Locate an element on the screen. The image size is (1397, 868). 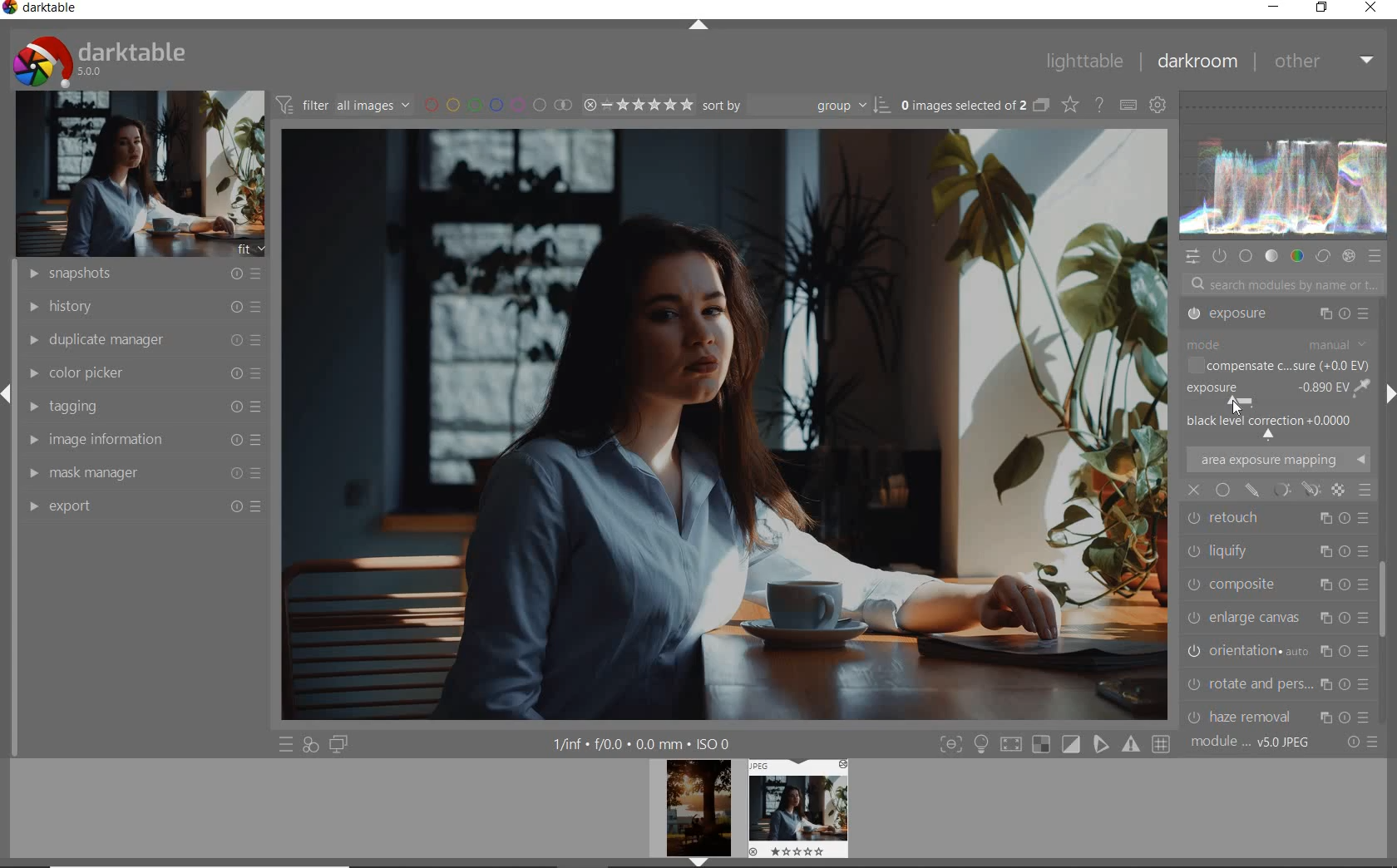
EXPAND/COLLAPSE is located at coordinates (699, 26).